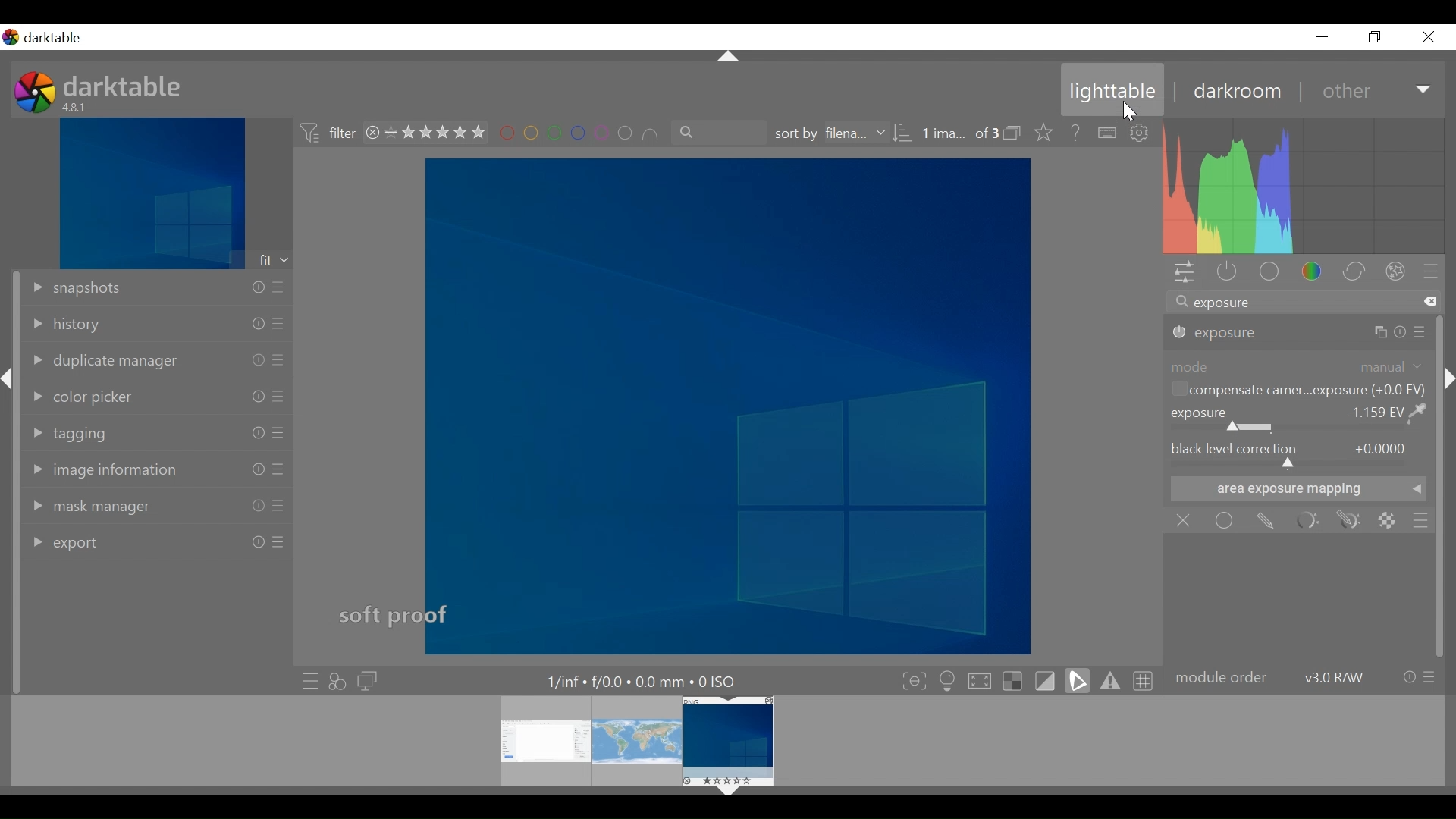 The image size is (1456, 819). Describe the element at coordinates (911, 680) in the screenshot. I see `toggle focus-peaking mode` at that location.